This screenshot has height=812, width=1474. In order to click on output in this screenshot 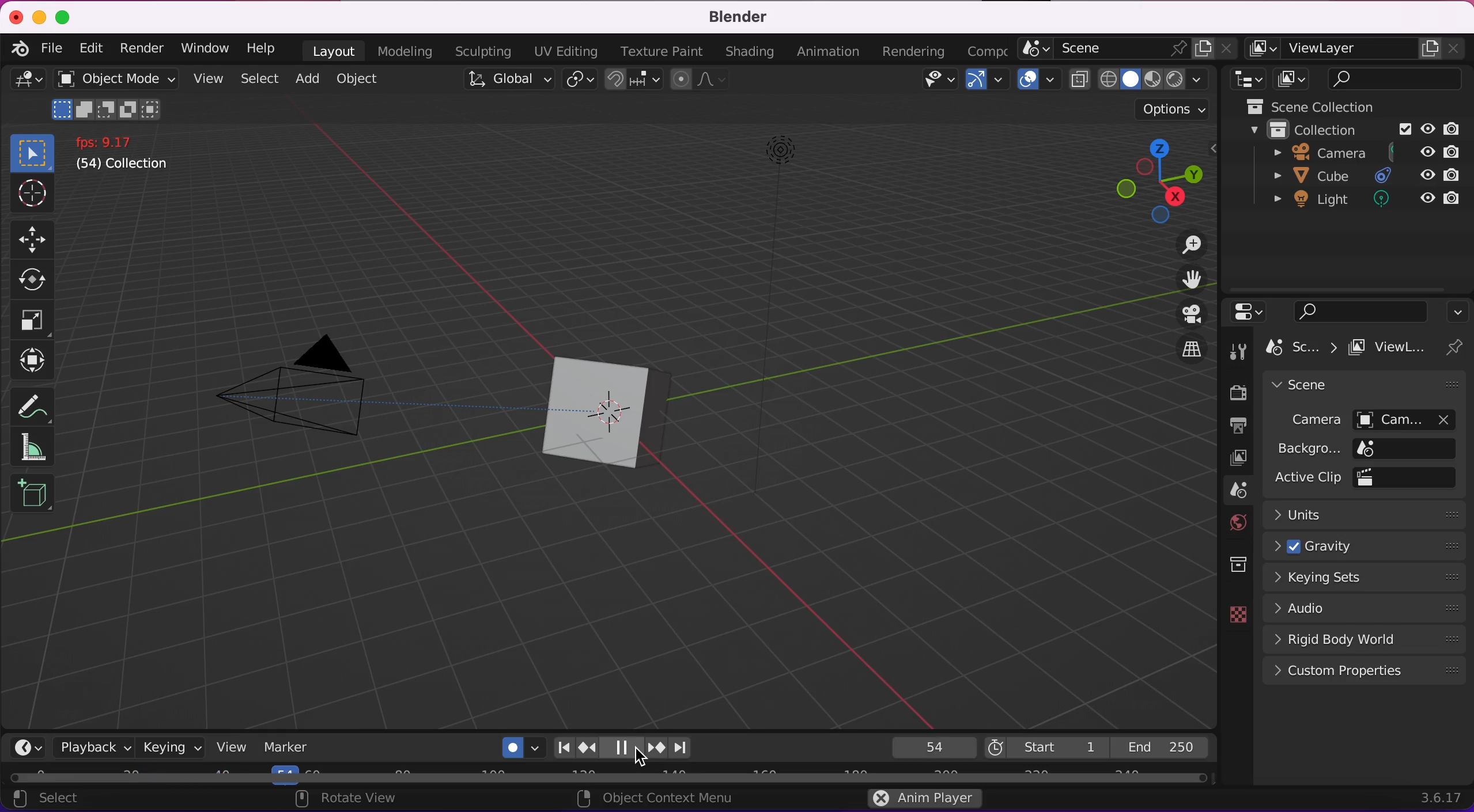, I will do `click(1232, 422)`.